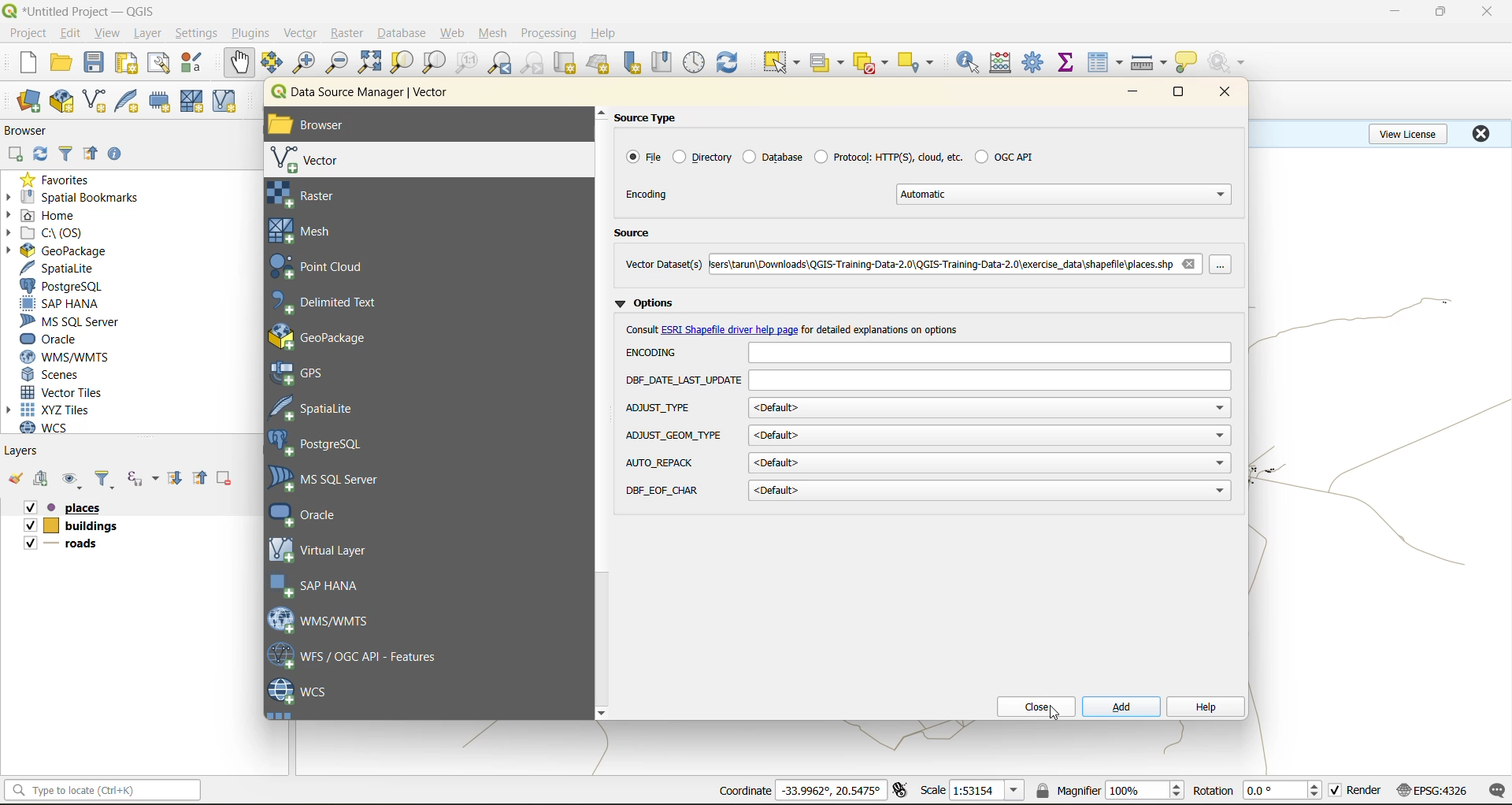 This screenshot has height=805, width=1512. Describe the element at coordinates (665, 491) in the screenshot. I see `dbf edf char` at that location.